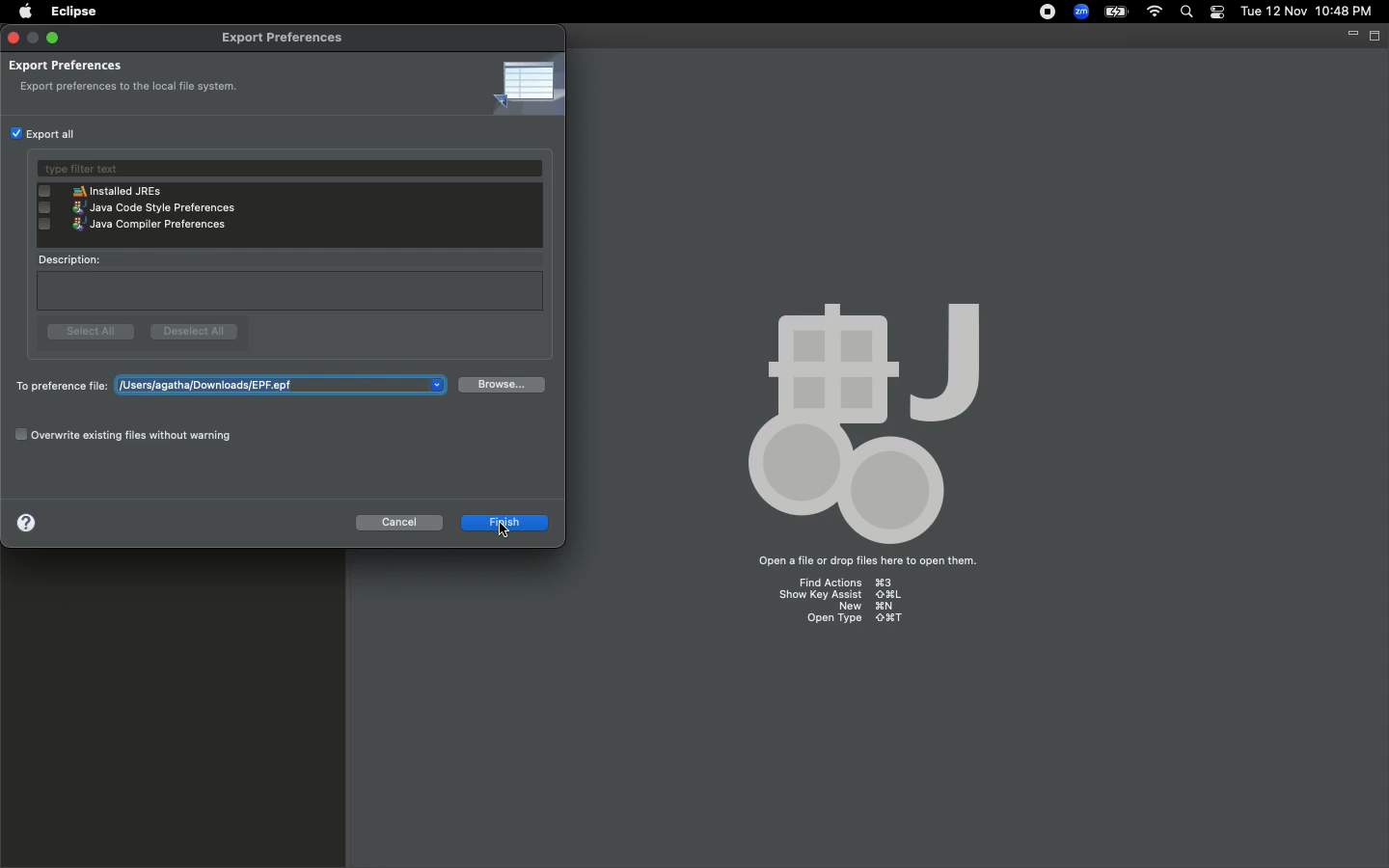 This screenshot has height=868, width=1389. What do you see at coordinates (140, 191) in the screenshot?
I see `installed JREs` at bounding box center [140, 191].